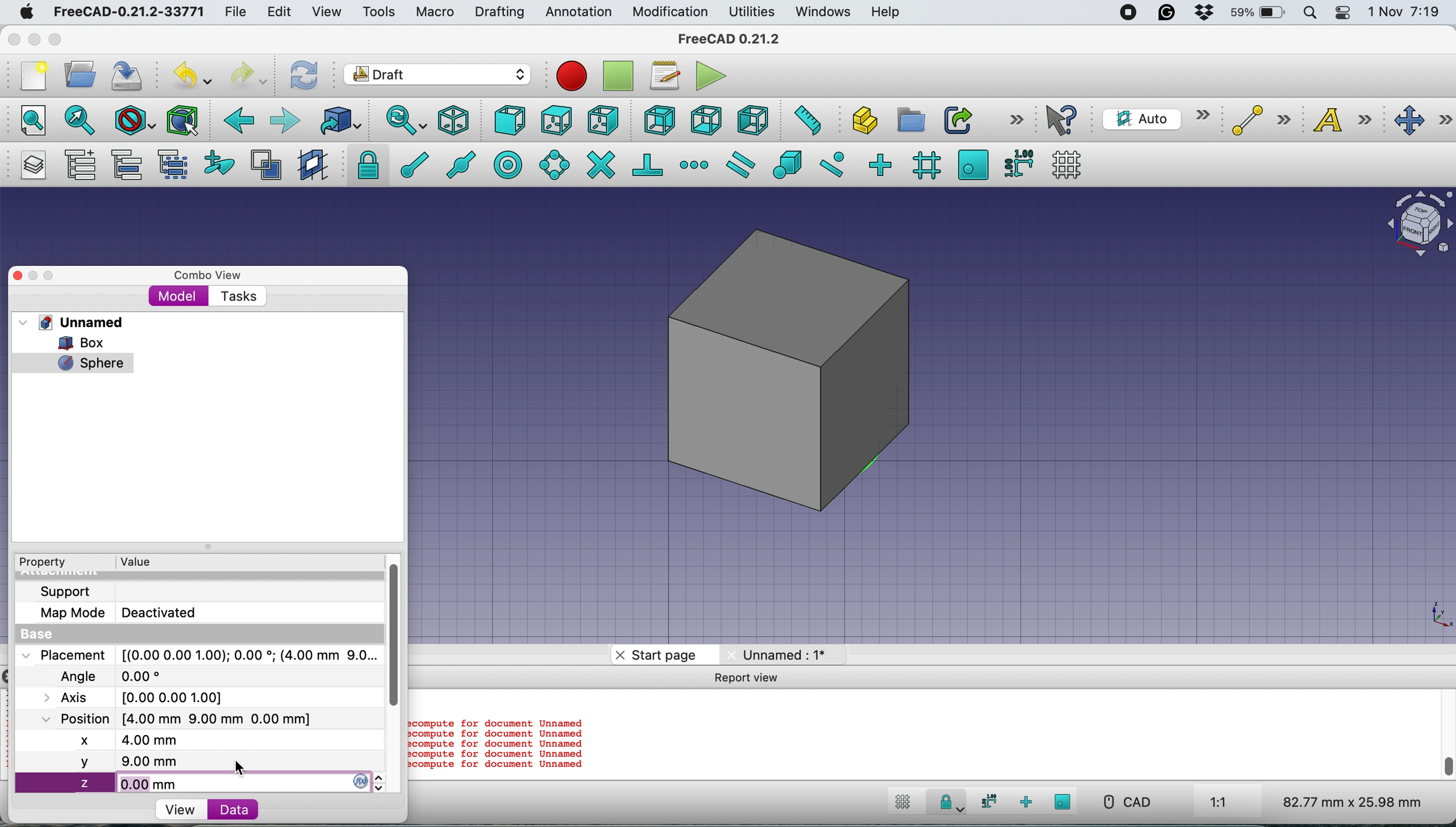  I want to click on add to construction group, so click(222, 164).